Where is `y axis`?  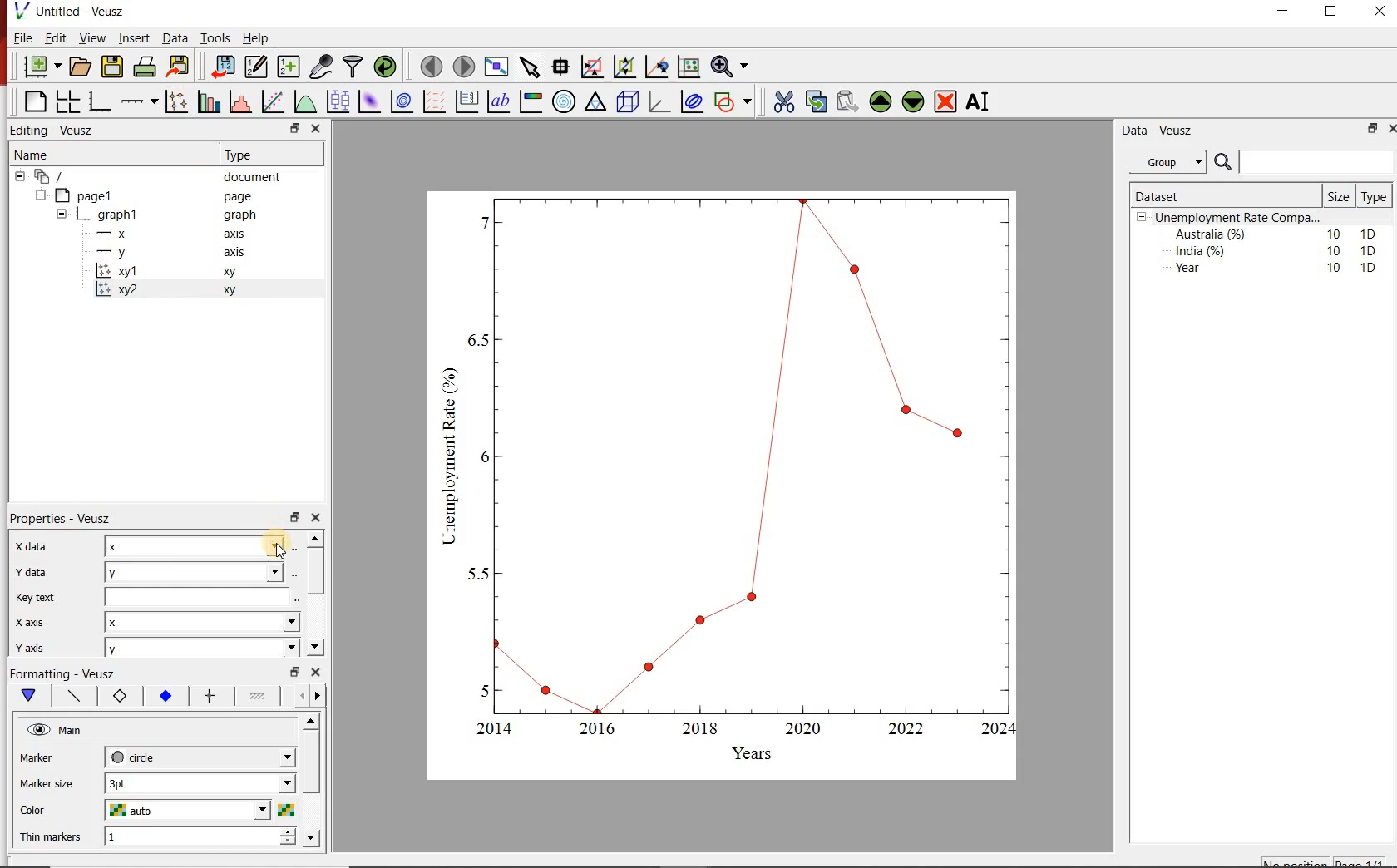 y axis is located at coordinates (180, 253).